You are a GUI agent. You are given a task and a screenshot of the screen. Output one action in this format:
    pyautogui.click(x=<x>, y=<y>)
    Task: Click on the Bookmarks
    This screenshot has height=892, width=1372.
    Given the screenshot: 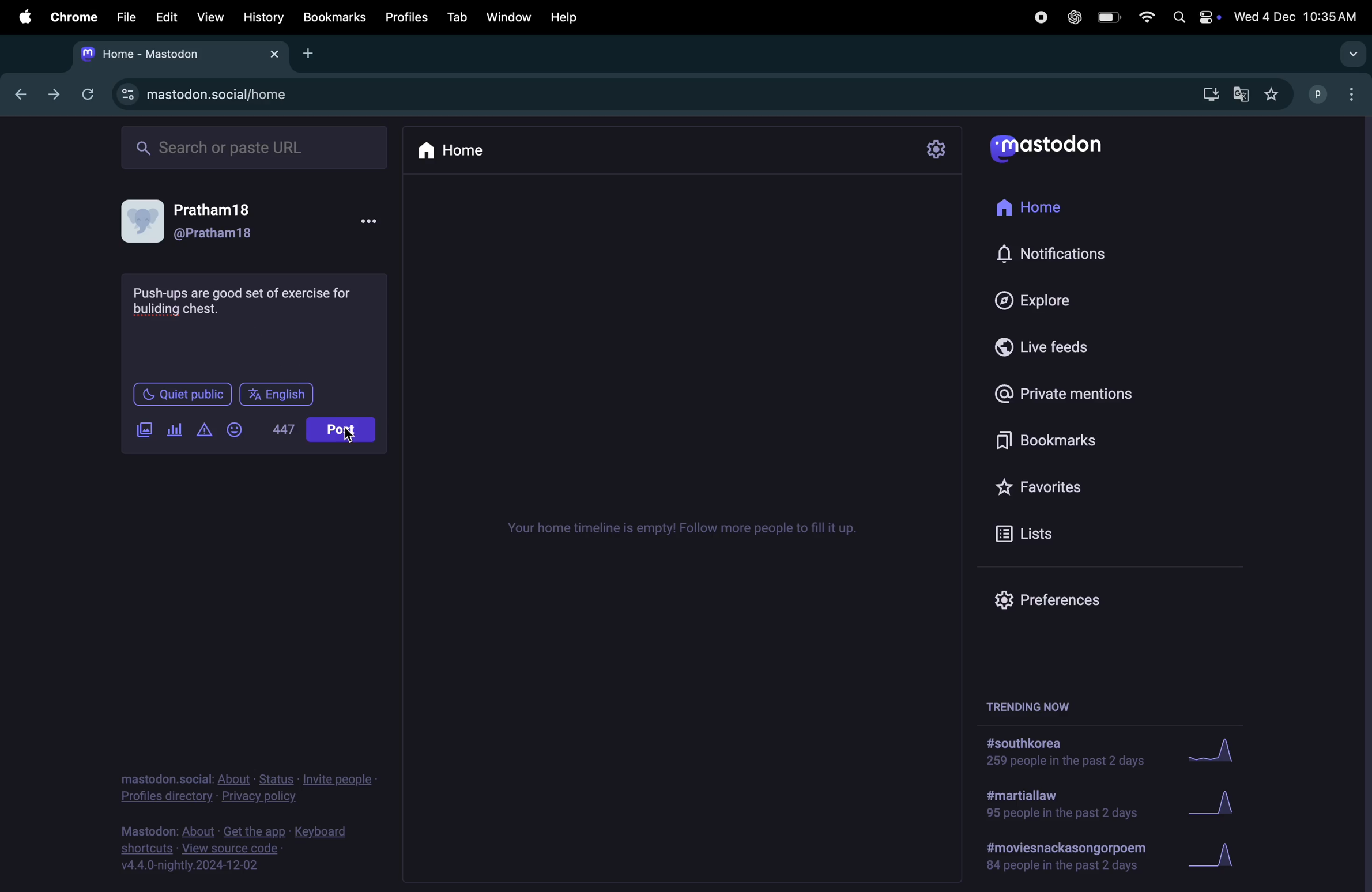 What is the action you would take?
    pyautogui.click(x=334, y=17)
    